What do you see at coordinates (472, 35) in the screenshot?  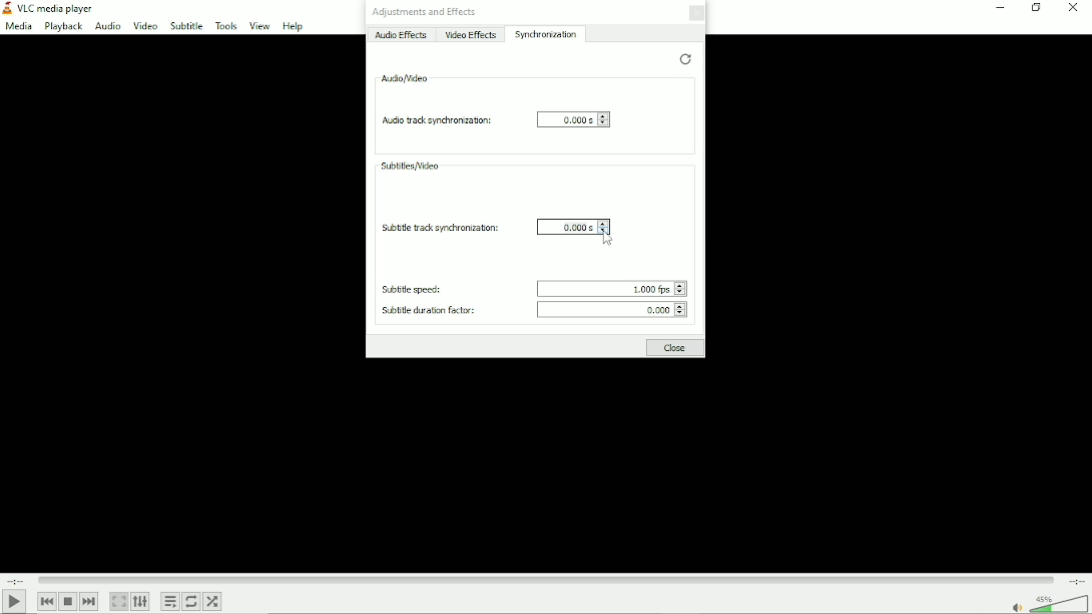 I see `Video effects` at bounding box center [472, 35].